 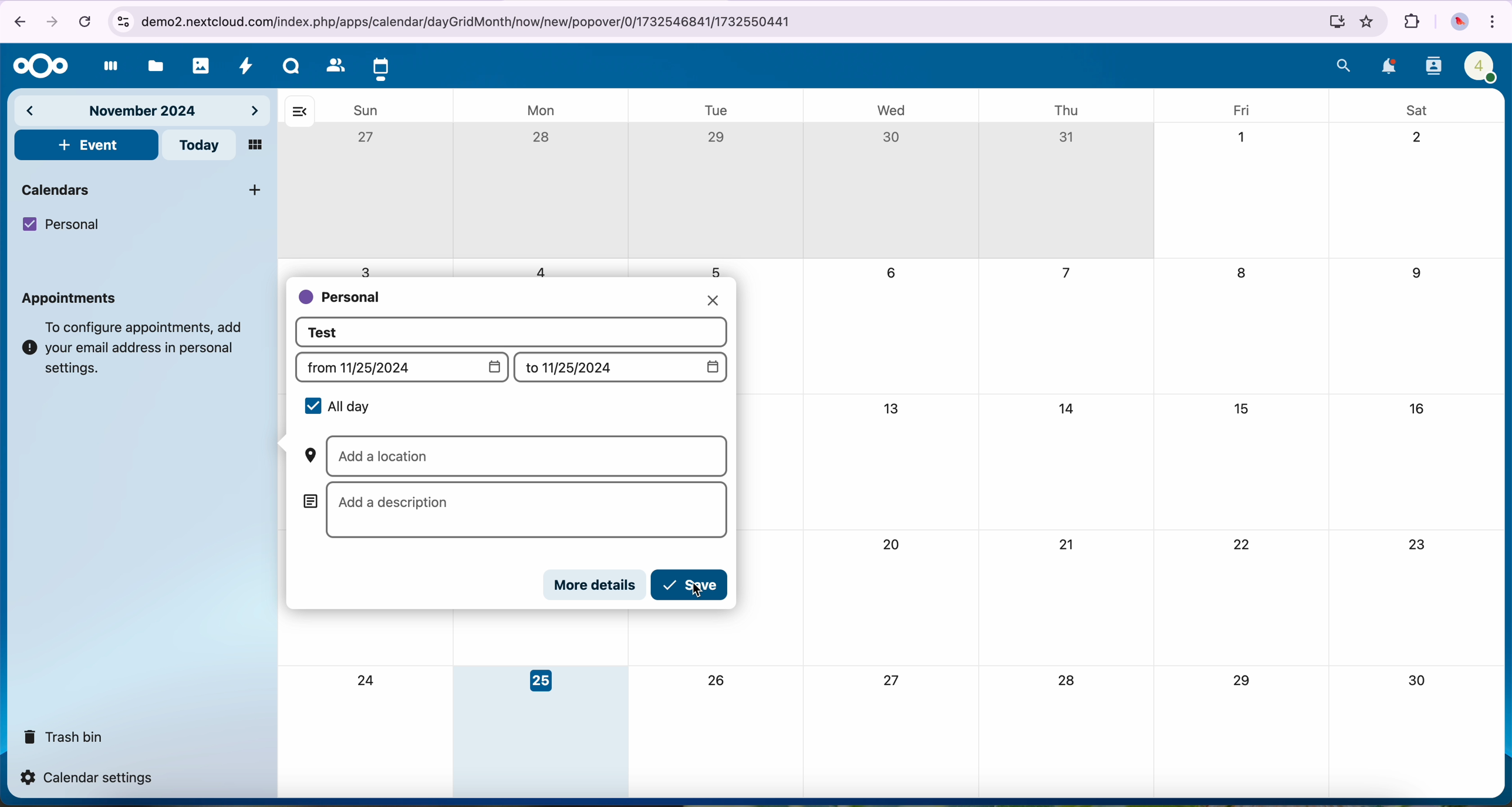 What do you see at coordinates (1241, 544) in the screenshot?
I see `22` at bounding box center [1241, 544].